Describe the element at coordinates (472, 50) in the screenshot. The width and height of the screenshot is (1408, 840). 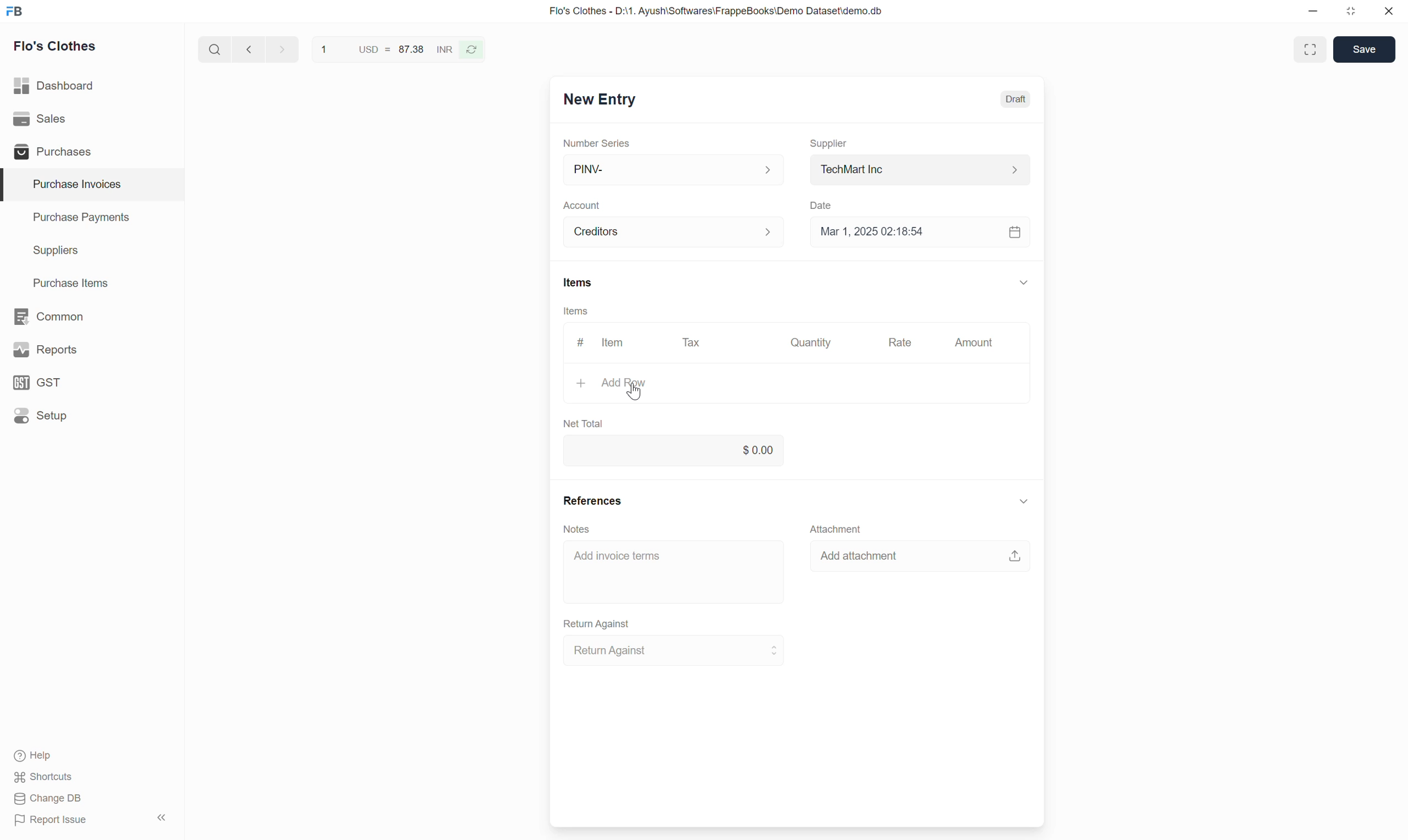
I see `Reverse` at that location.